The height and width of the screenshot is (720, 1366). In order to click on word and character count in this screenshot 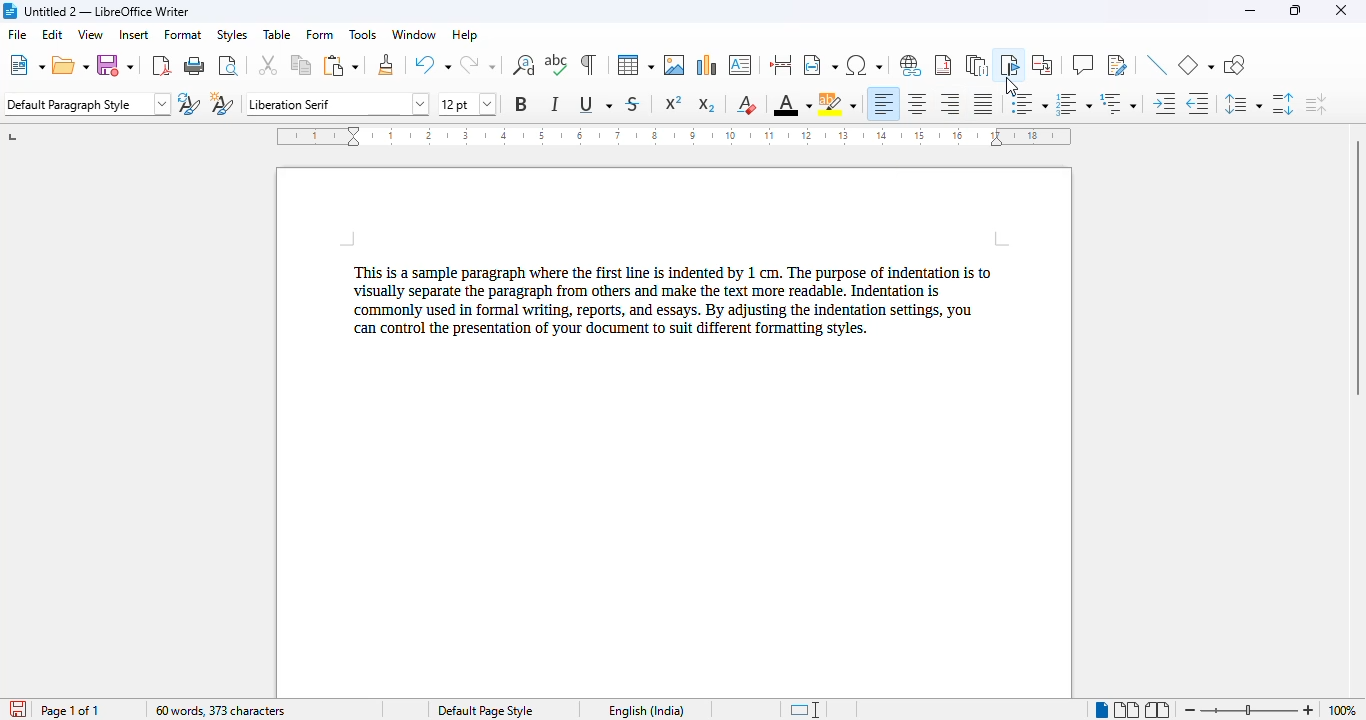, I will do `click(219, 710)`.